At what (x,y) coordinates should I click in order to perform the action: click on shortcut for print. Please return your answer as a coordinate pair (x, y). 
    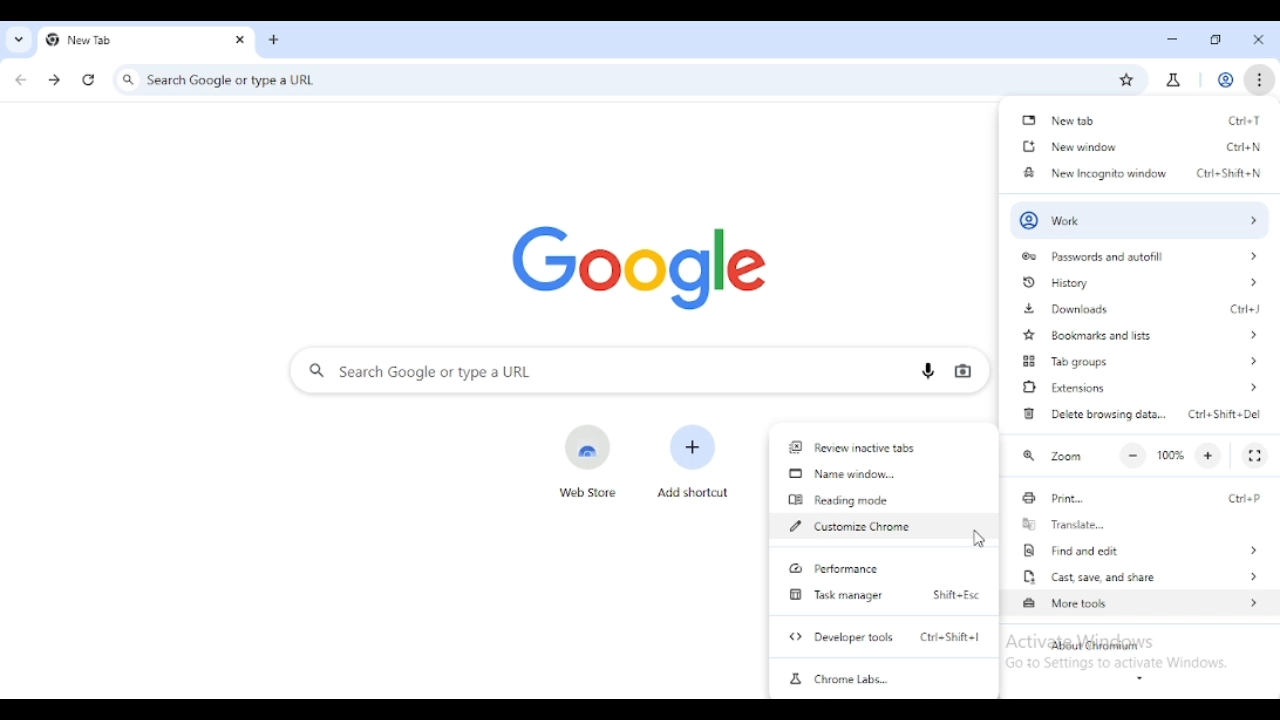
    Looking at the image, I should click on (1244, 498).